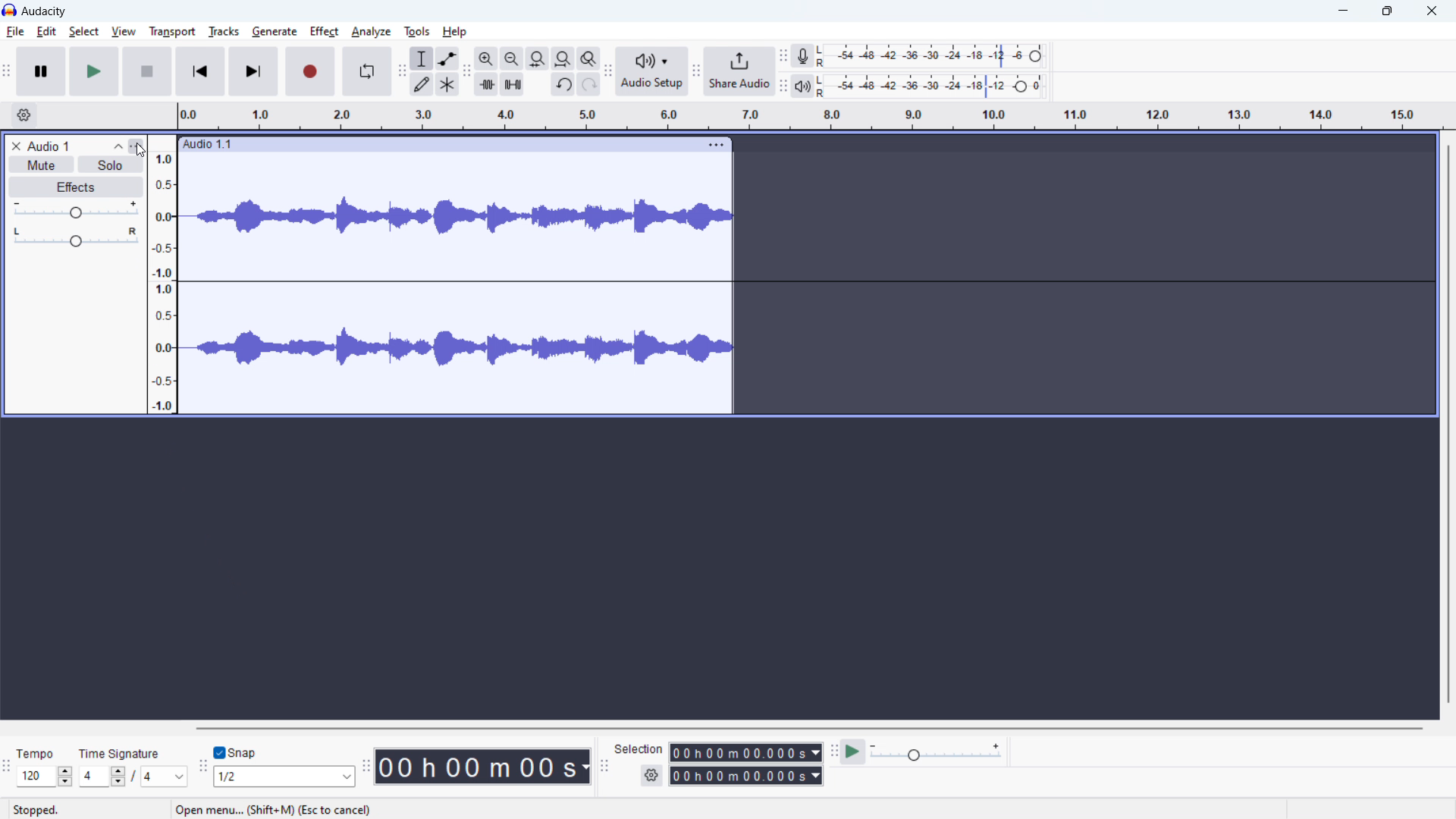 The height and width of the screenshot is (819, 1456). I want to click on select, so click(83, 33).